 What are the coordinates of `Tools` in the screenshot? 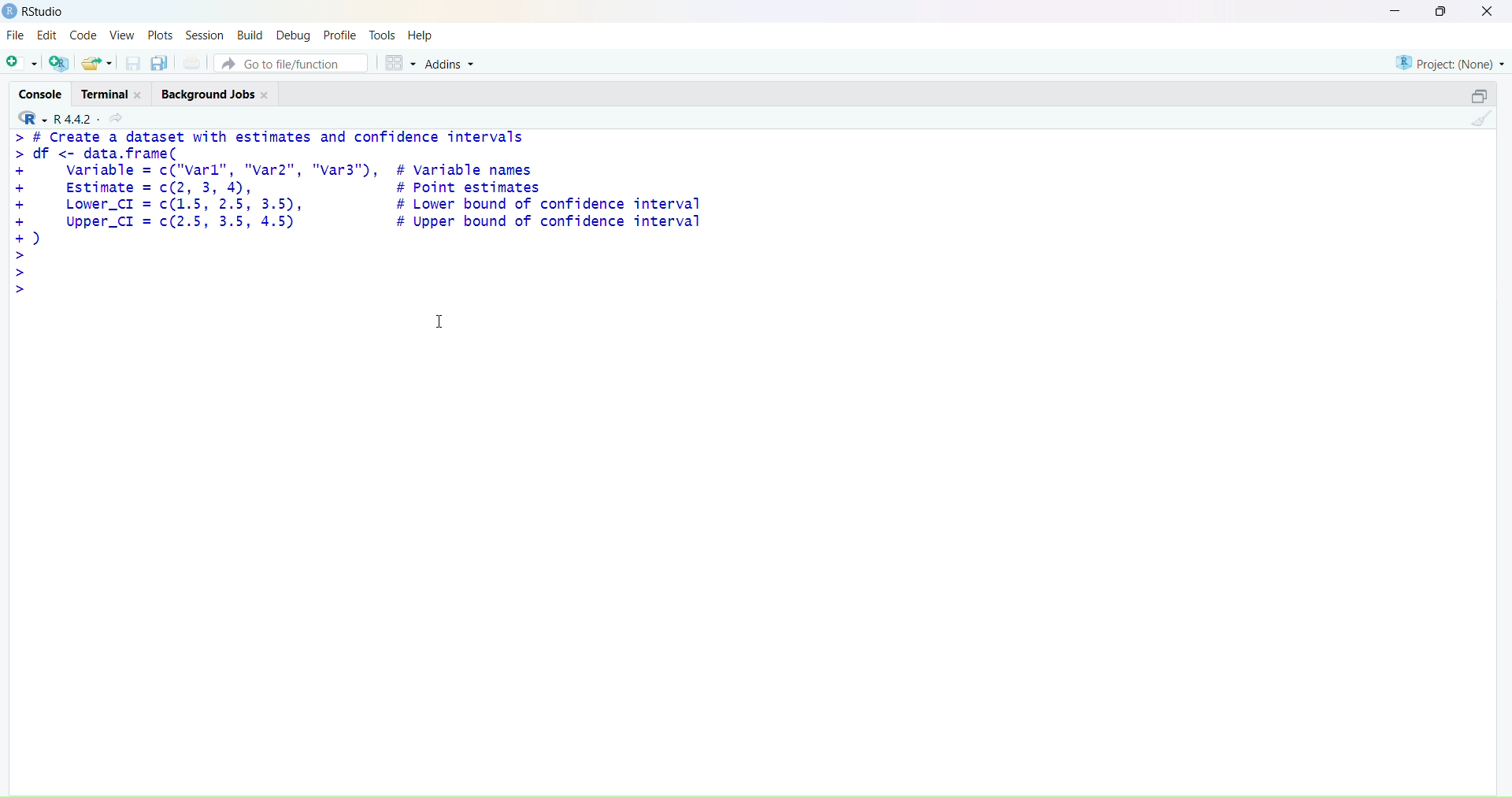 It's located at (384, 35).